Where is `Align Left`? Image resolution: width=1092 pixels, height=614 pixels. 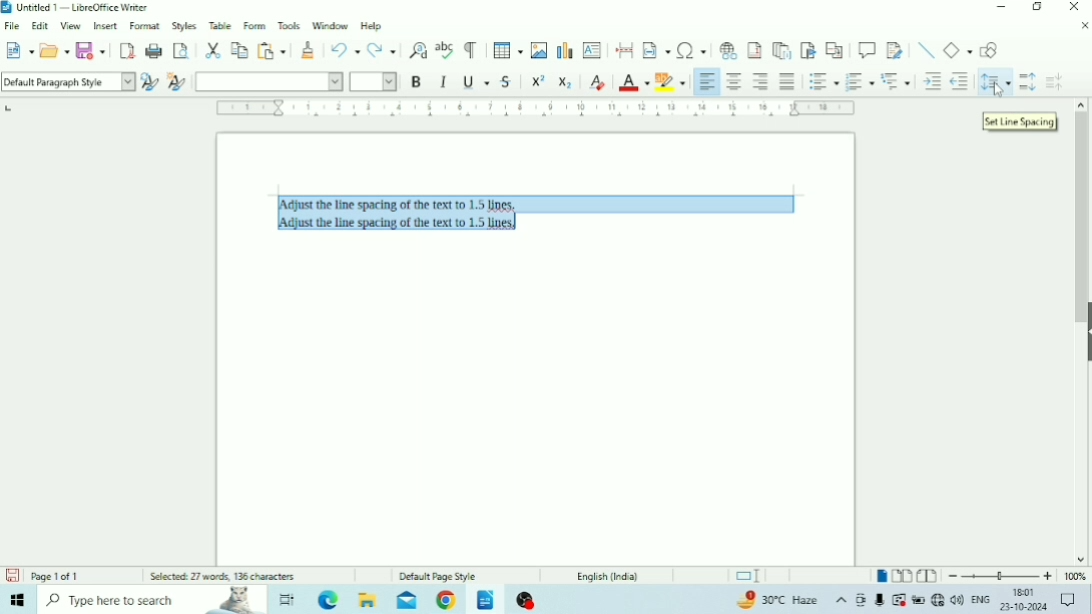
Align Left is located at coordinates (706, 81).